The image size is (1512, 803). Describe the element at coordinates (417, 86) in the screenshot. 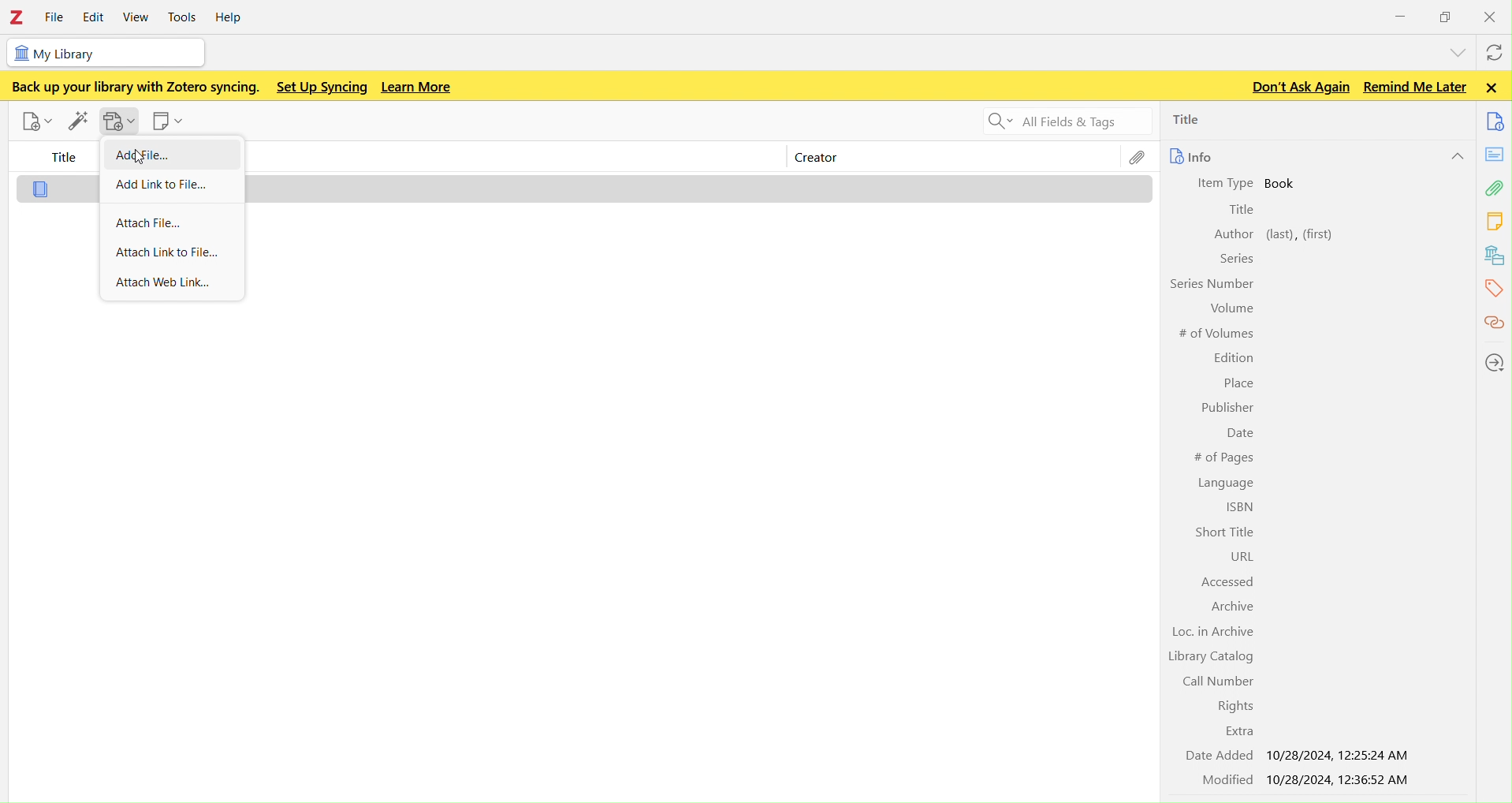

I see `Learn more` at that location.